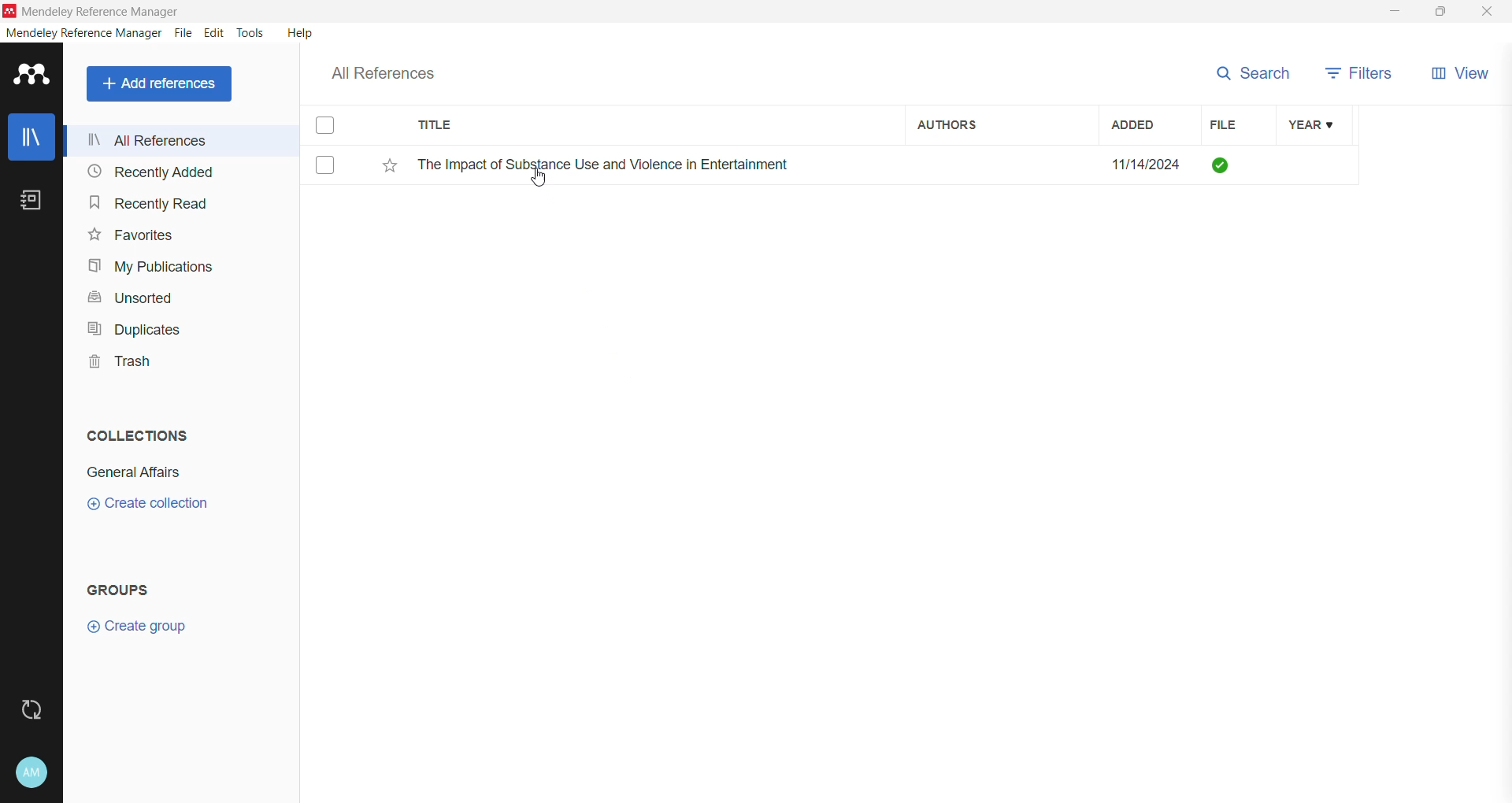  I want to click on cursor, so click(538, 183).